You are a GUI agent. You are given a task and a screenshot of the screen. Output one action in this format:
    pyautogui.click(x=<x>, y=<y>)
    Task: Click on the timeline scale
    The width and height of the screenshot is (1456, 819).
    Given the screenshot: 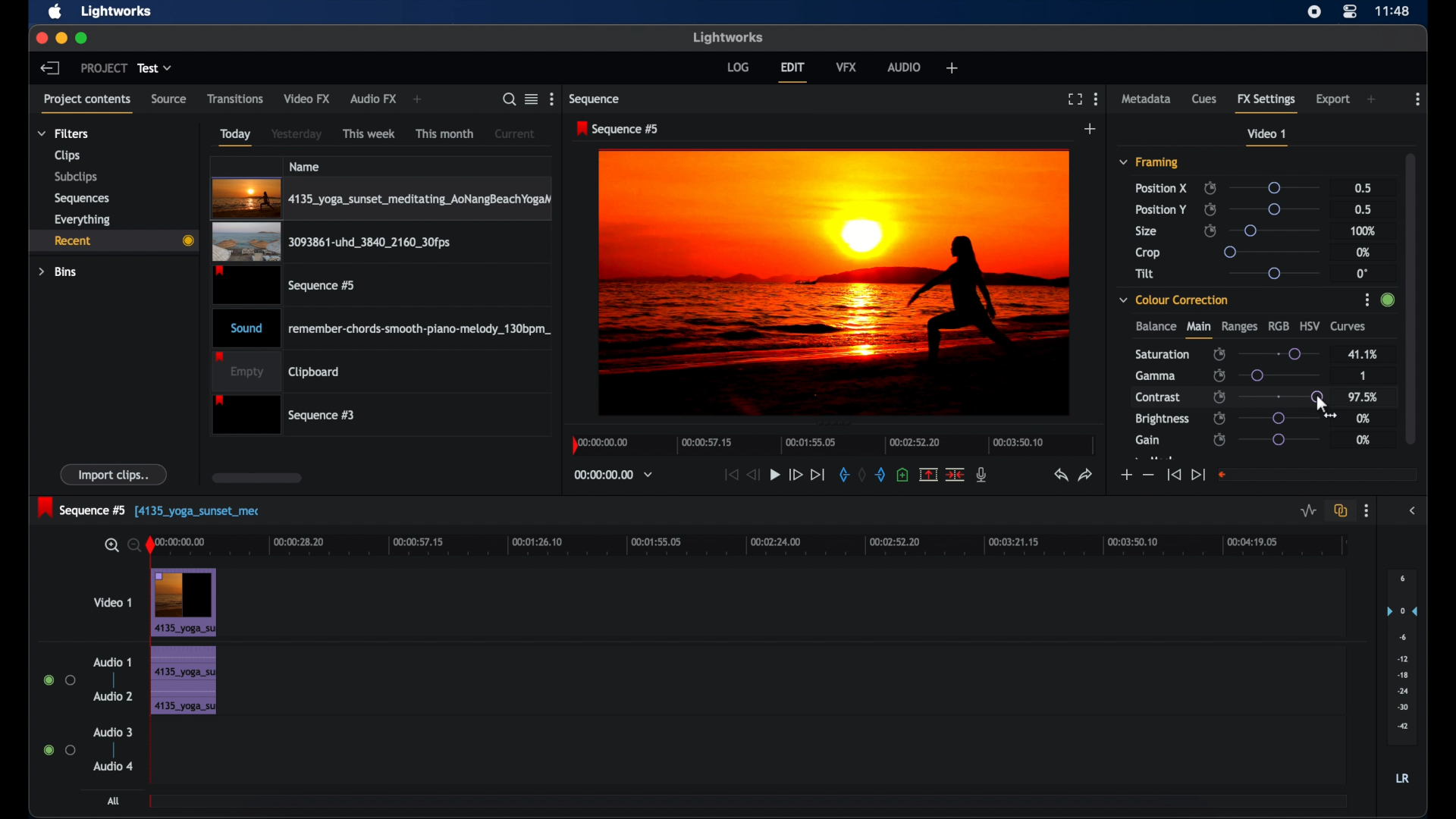 What is the action you would take?
    pyautogui.click(x=759, y=547)
    